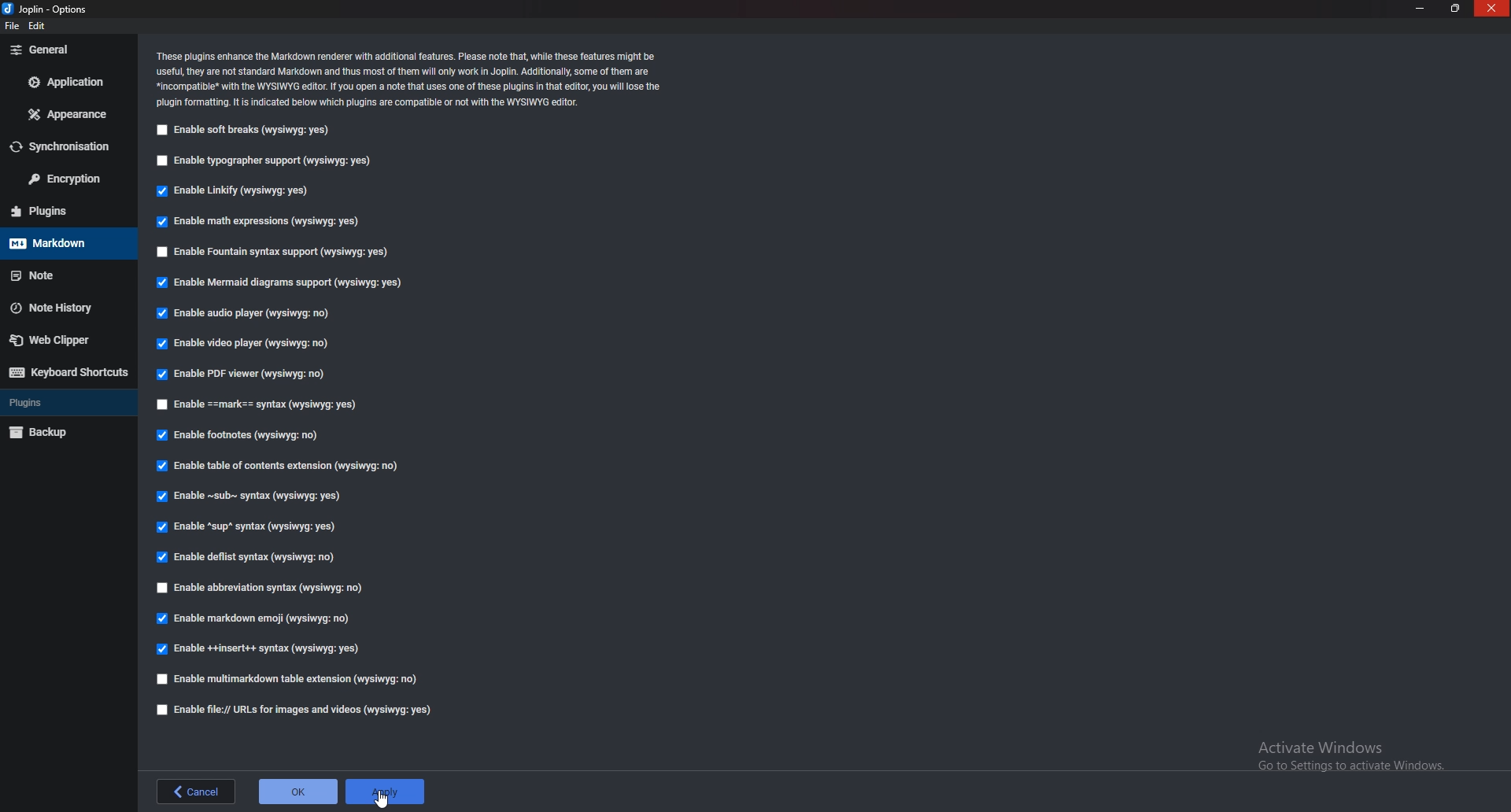 Image resolution: width=1511 pixels, height=812 pixels. I want to click on Enable P D F viewer, so click(245, 373).